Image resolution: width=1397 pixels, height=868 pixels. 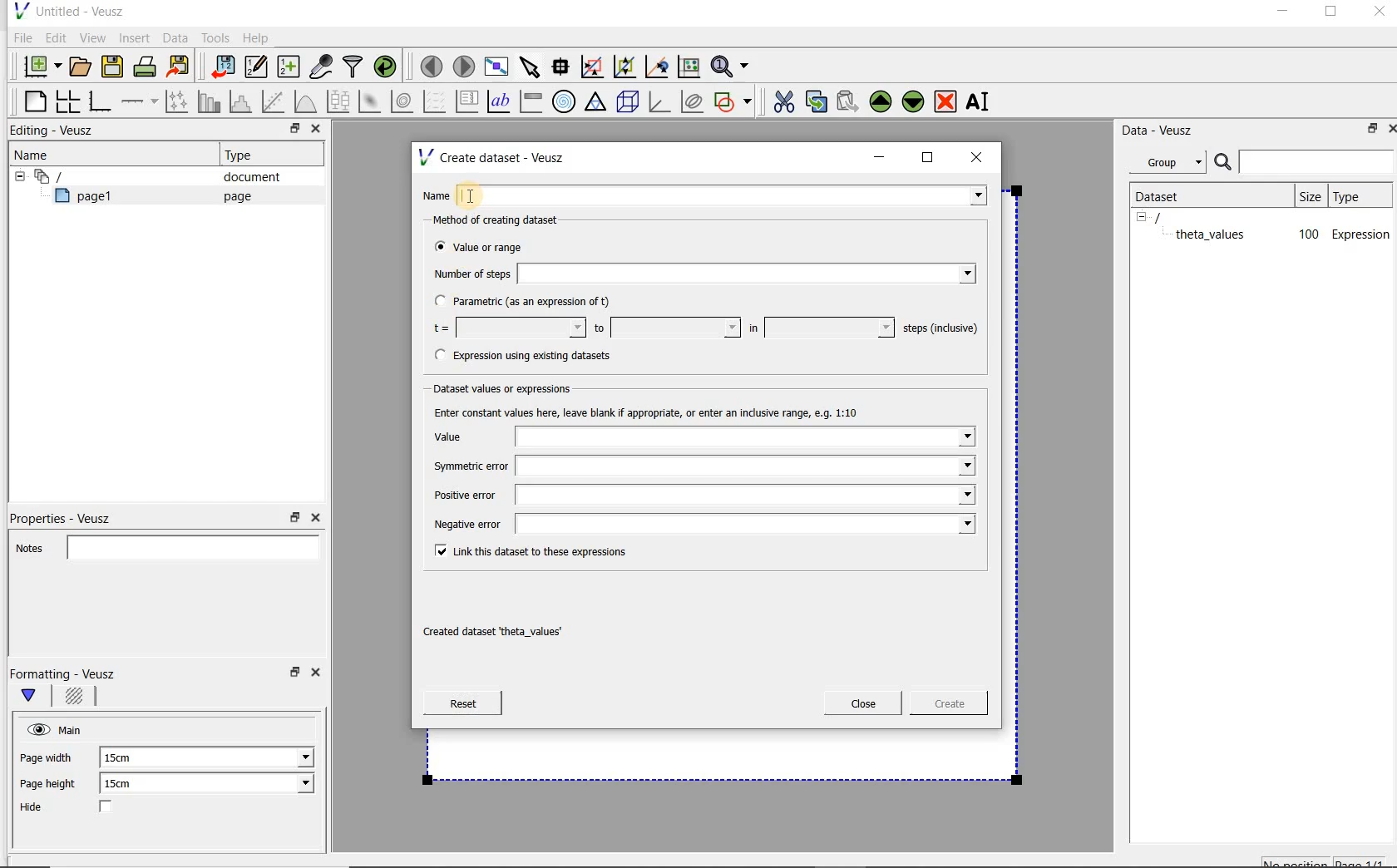 I want to click on Page height dropdown, so click(x=294, y=785).